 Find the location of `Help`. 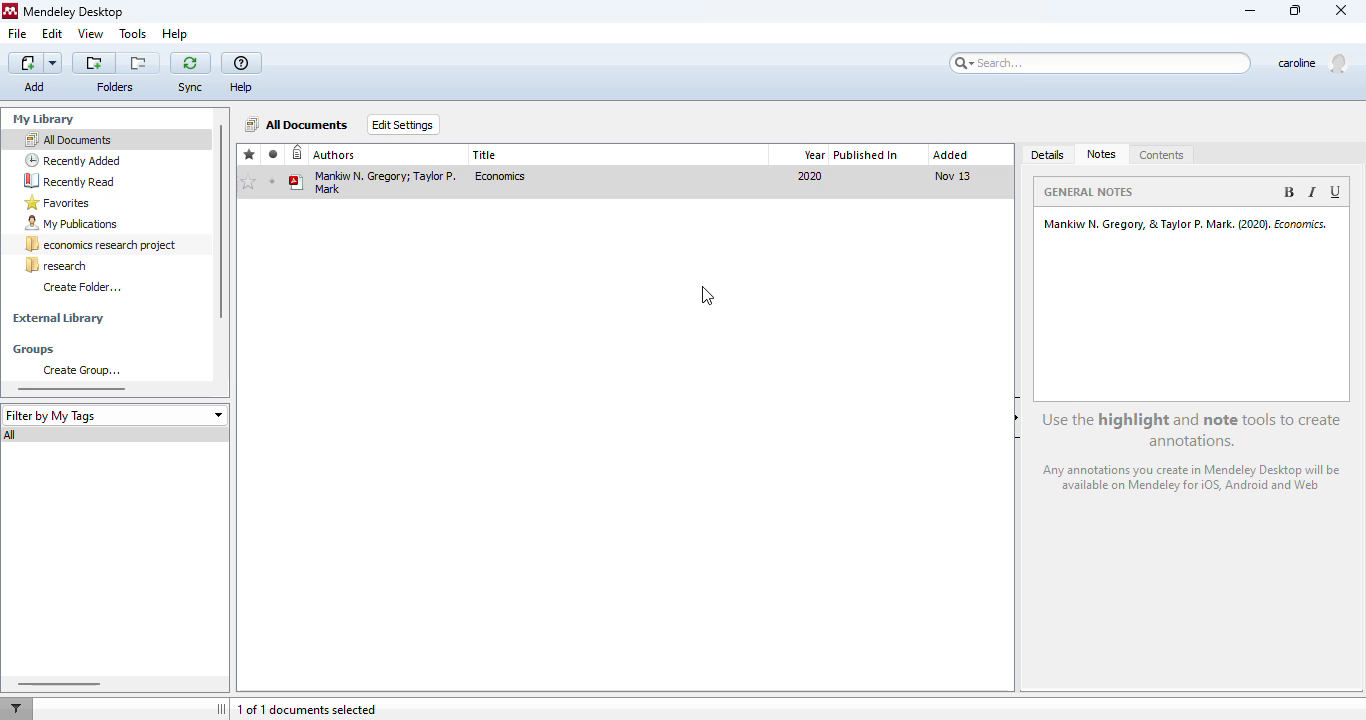

Help is located at coordinates (245, 87).